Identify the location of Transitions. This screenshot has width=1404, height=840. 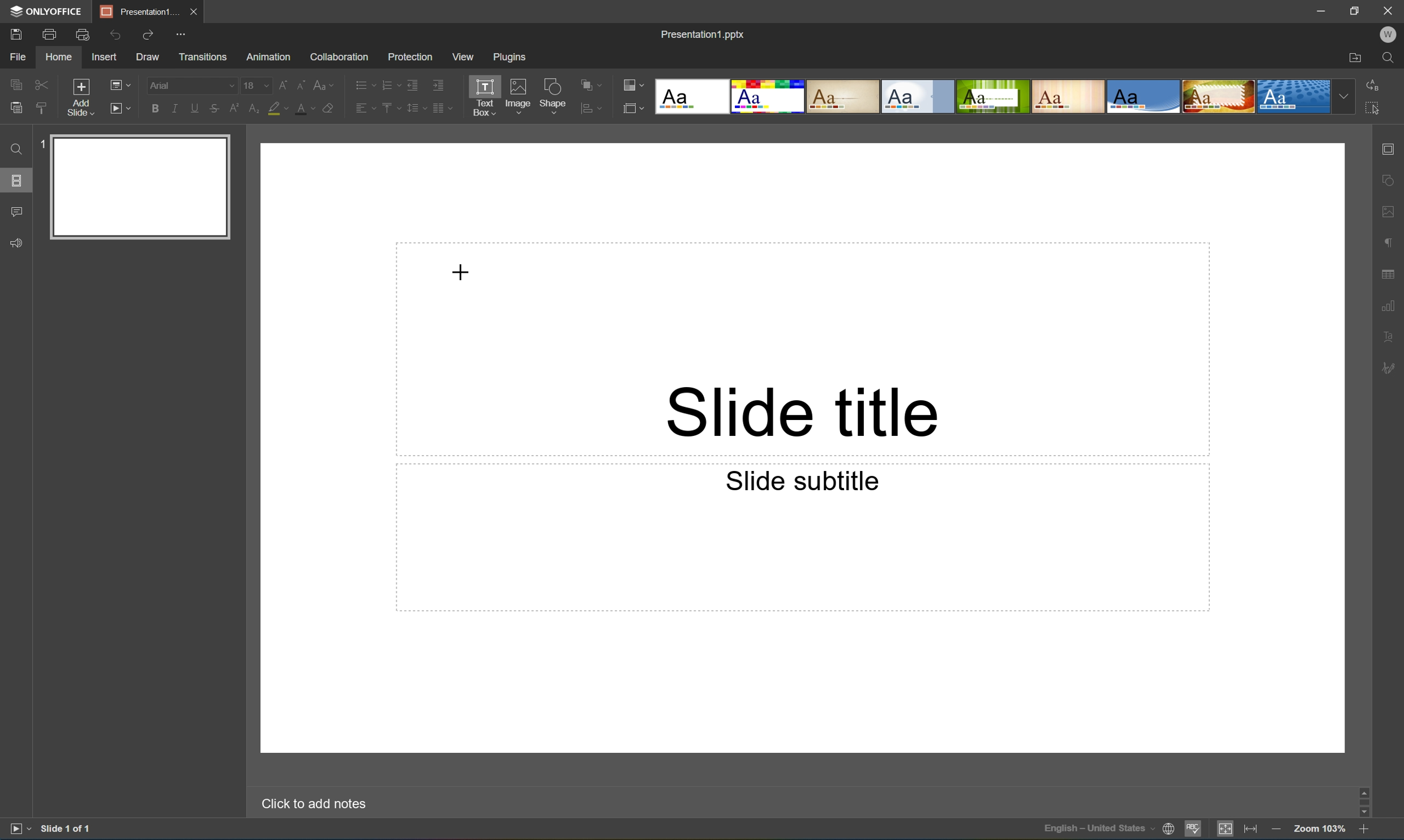
(202, 56).